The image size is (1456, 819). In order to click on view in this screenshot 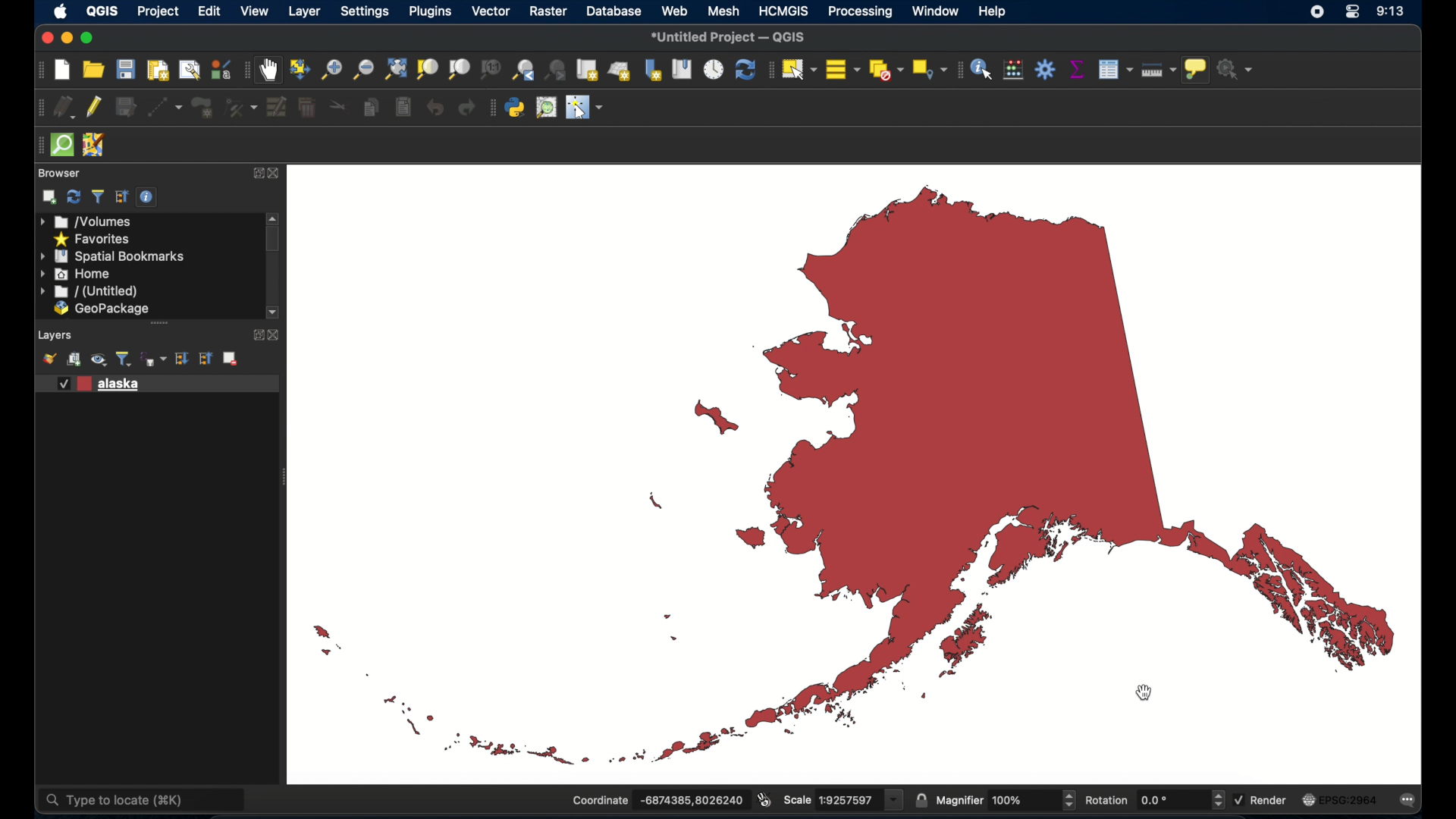, I will do `click(256, 11)`.